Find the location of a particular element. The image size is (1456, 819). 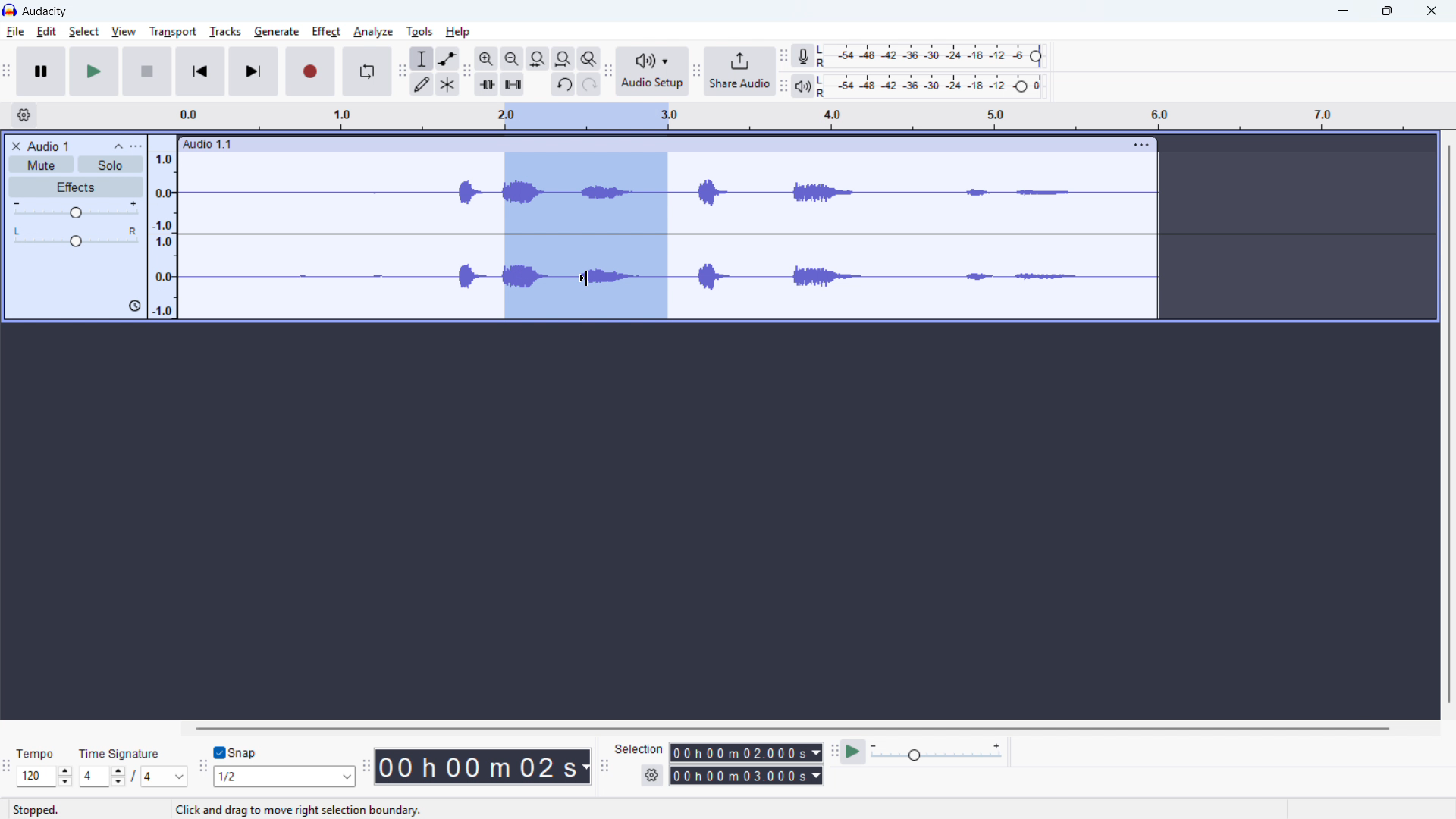

Set tempo is located at coordinates (44, 776).